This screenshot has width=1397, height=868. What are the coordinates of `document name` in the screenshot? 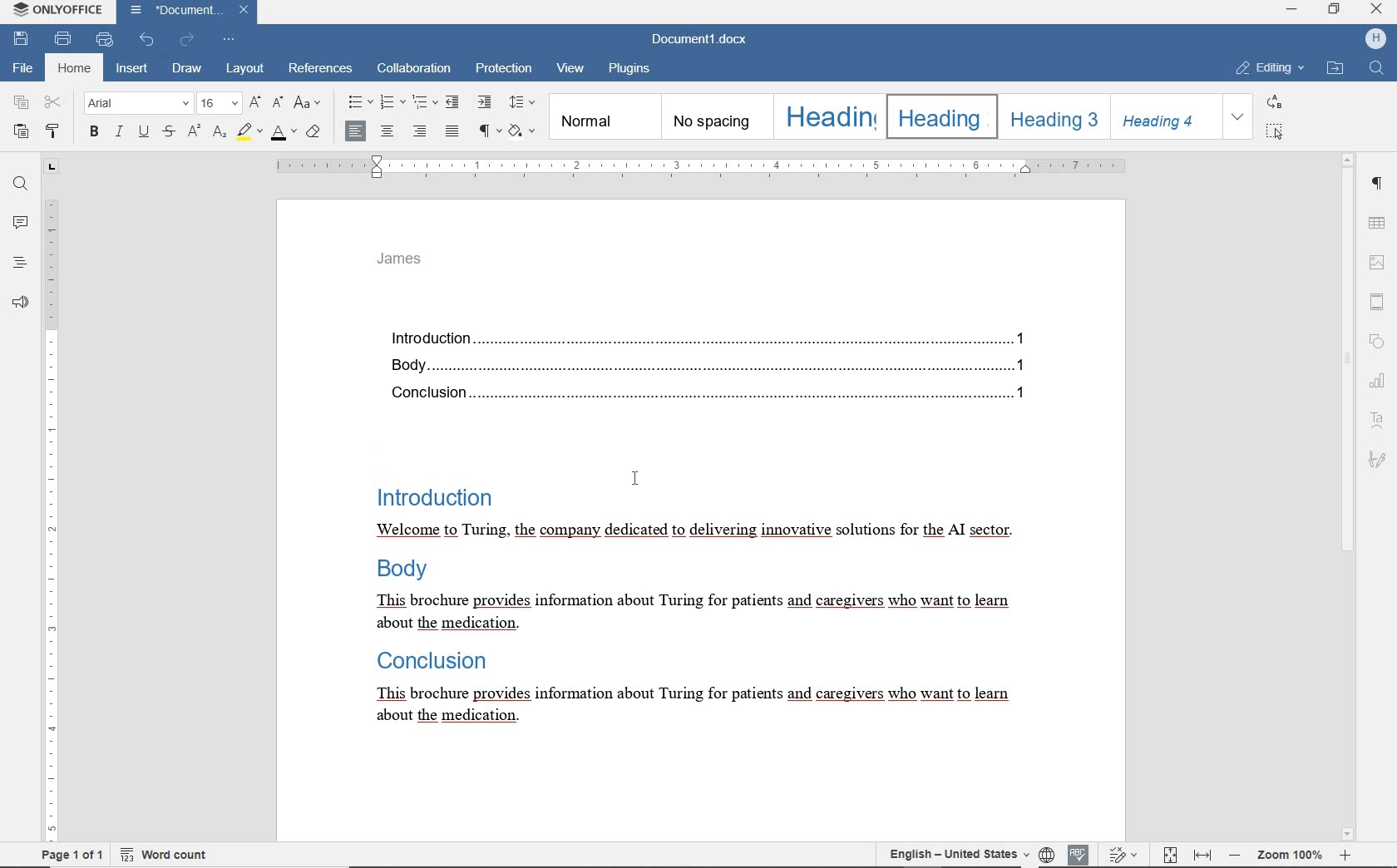 It's located at (703, 37).